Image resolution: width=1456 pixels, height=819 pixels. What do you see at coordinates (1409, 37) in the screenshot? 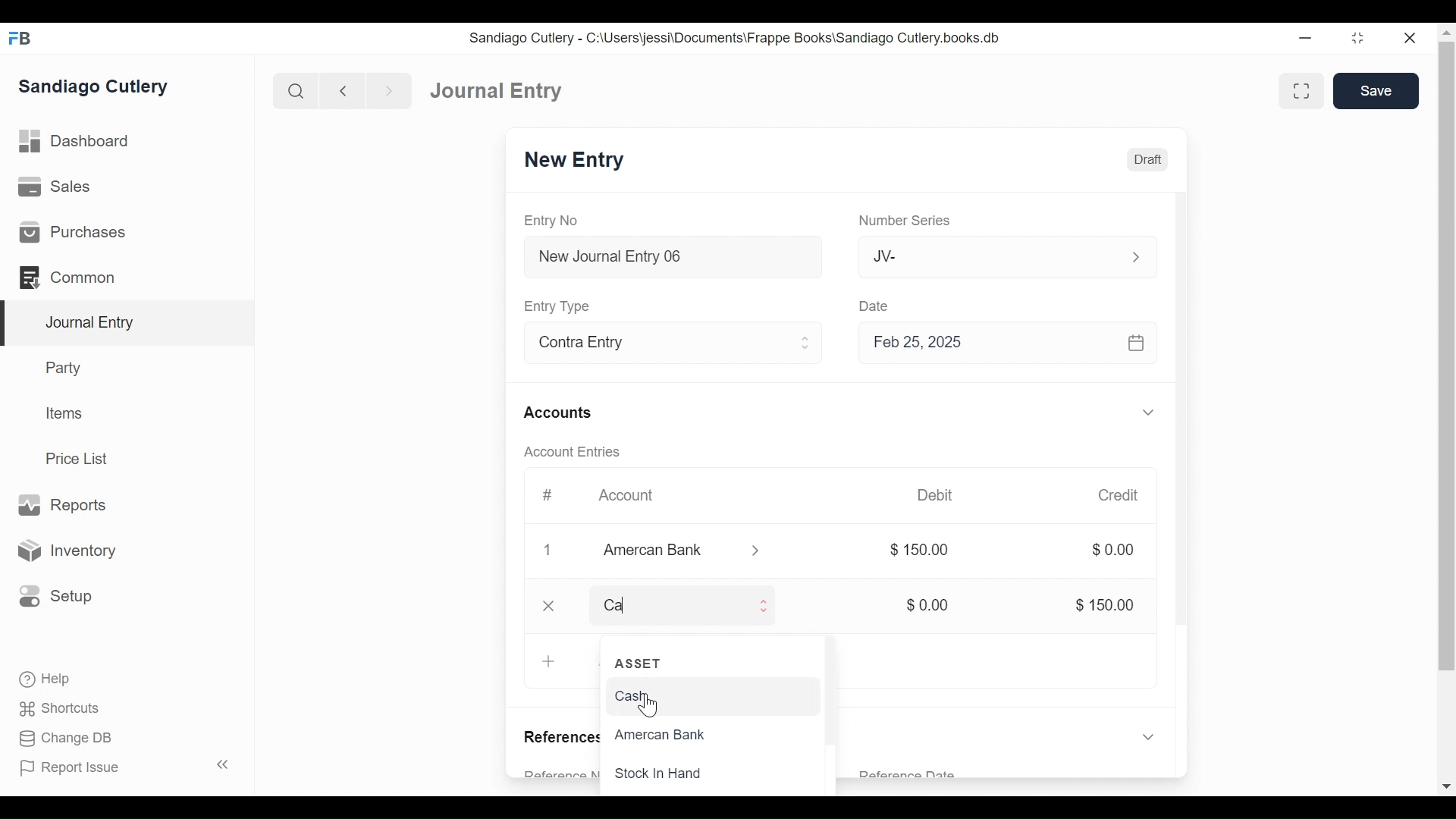
I see `Close` at bounding box center [1409, 37].